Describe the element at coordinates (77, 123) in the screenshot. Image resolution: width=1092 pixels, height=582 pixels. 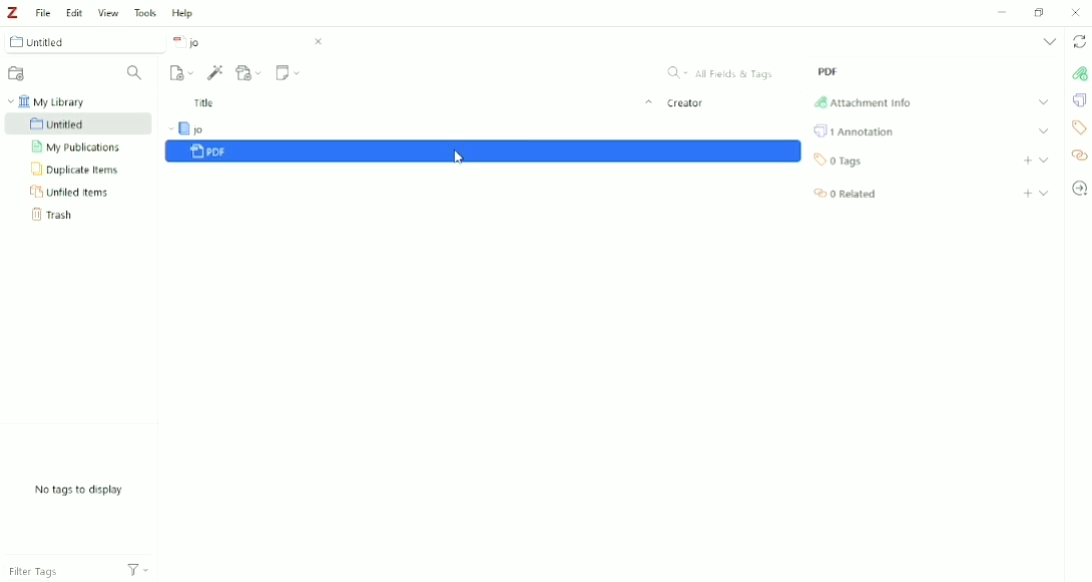
I see `Untitled` at that location.